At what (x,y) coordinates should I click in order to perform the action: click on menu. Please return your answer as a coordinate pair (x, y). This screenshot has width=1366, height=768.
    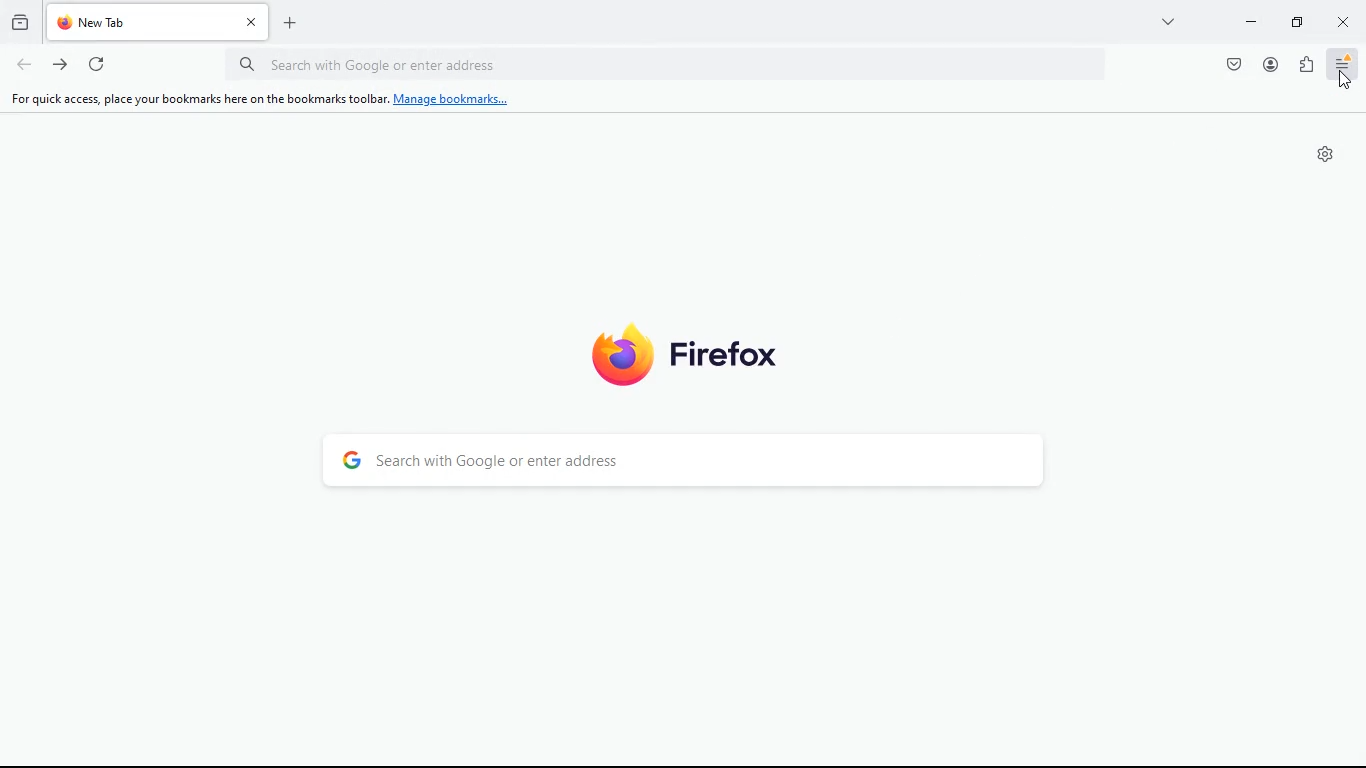
    Looking at the image, I should click on (1344, 64).